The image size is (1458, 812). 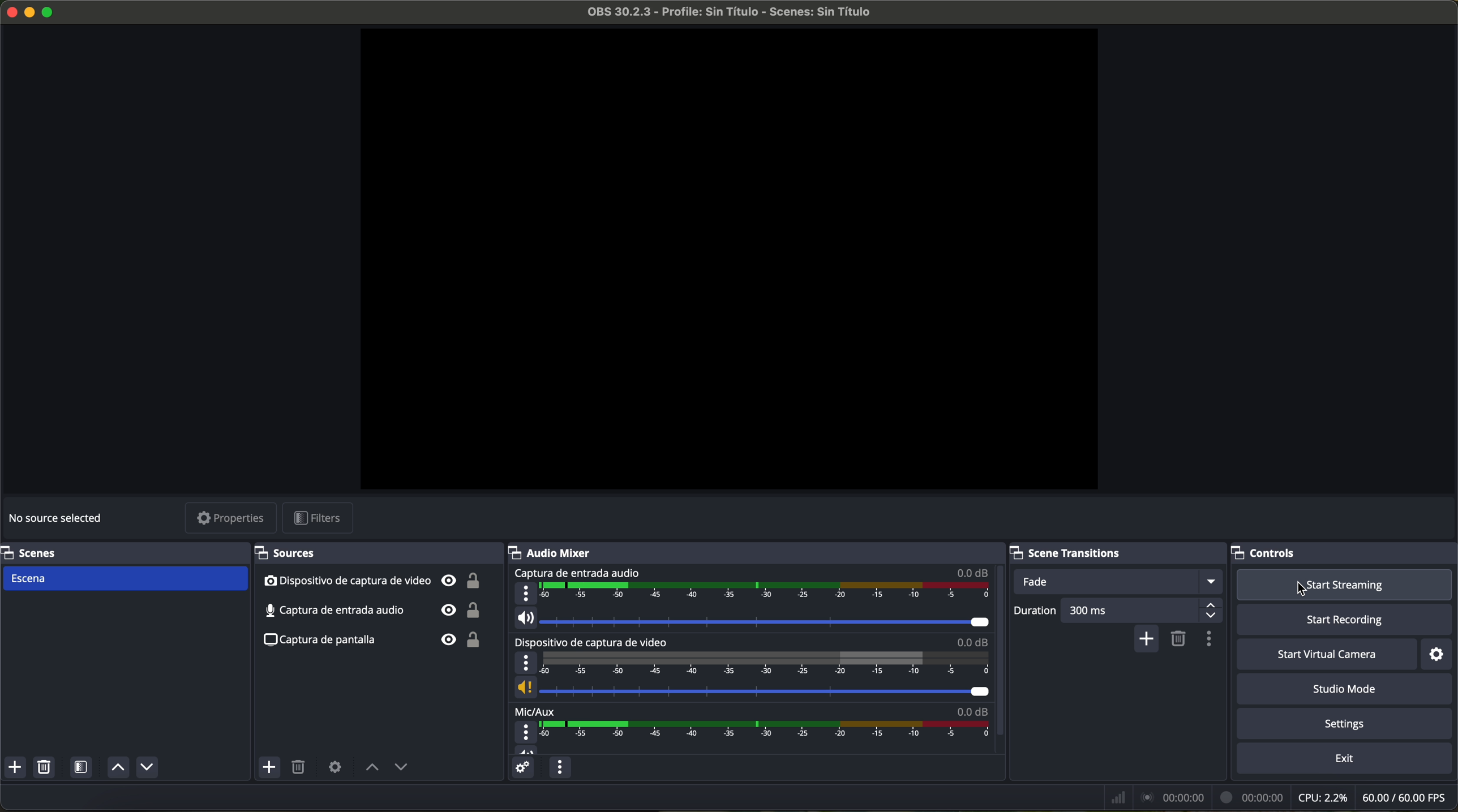 What do you see at coordinates (401, 768) in the screenshot?
I see `move source down` at bounding box center [401, 768].